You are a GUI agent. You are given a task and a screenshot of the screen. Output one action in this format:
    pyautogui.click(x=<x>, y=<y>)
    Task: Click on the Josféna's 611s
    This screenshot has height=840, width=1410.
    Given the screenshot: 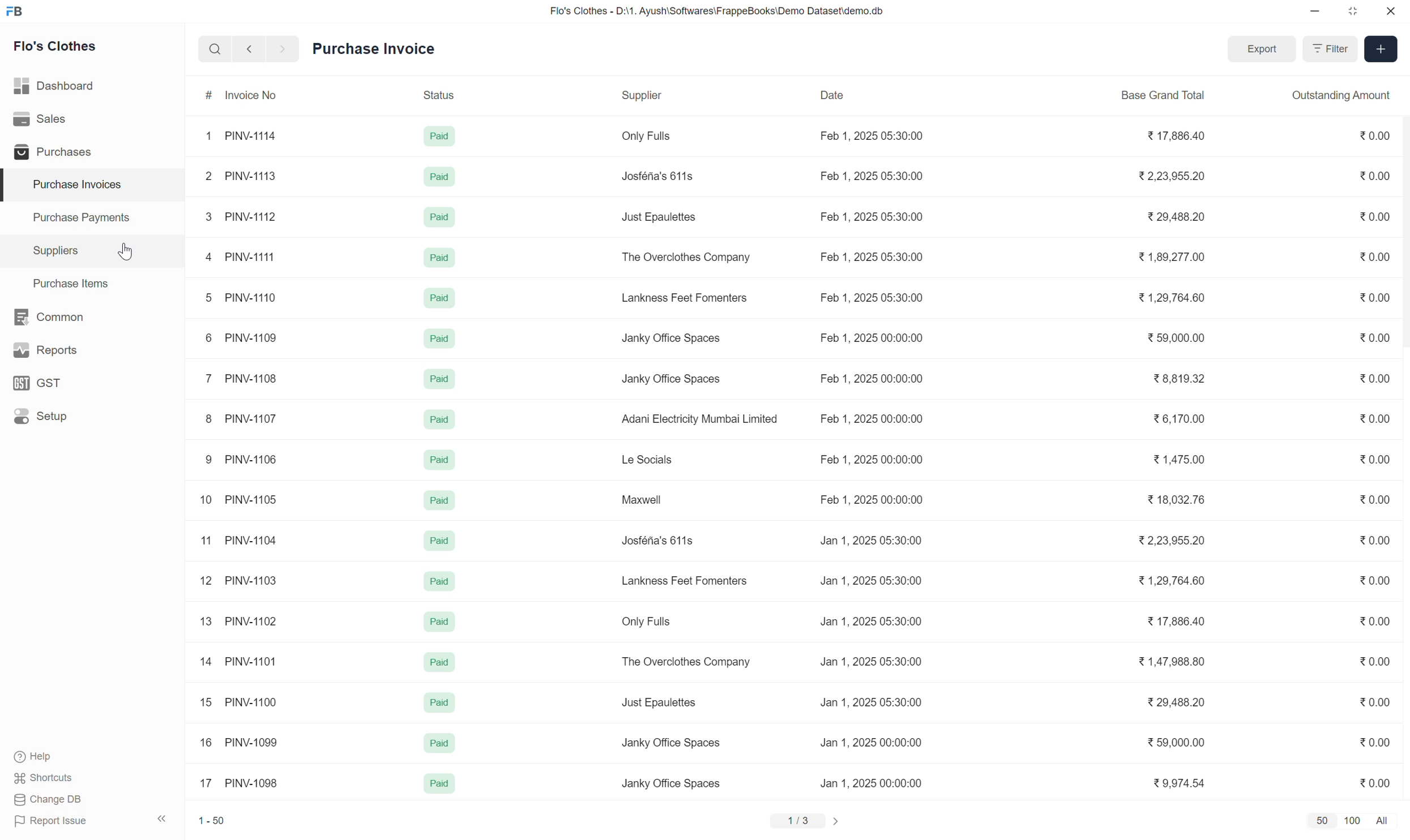 What is the action you would take?
    pyautogui.click(x=658, y=540)
    